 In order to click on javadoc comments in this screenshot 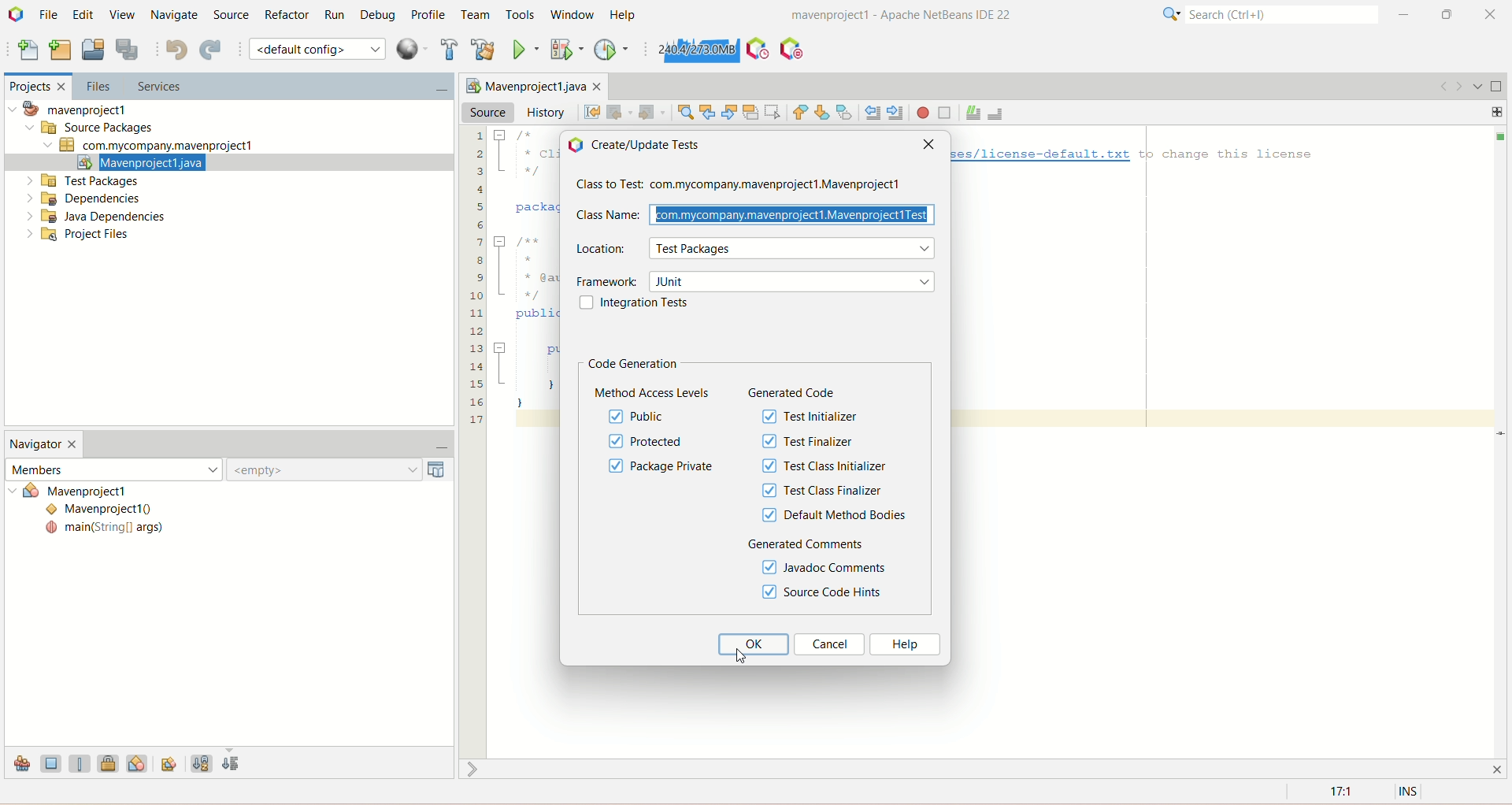, I will do `click(825, 568)`.